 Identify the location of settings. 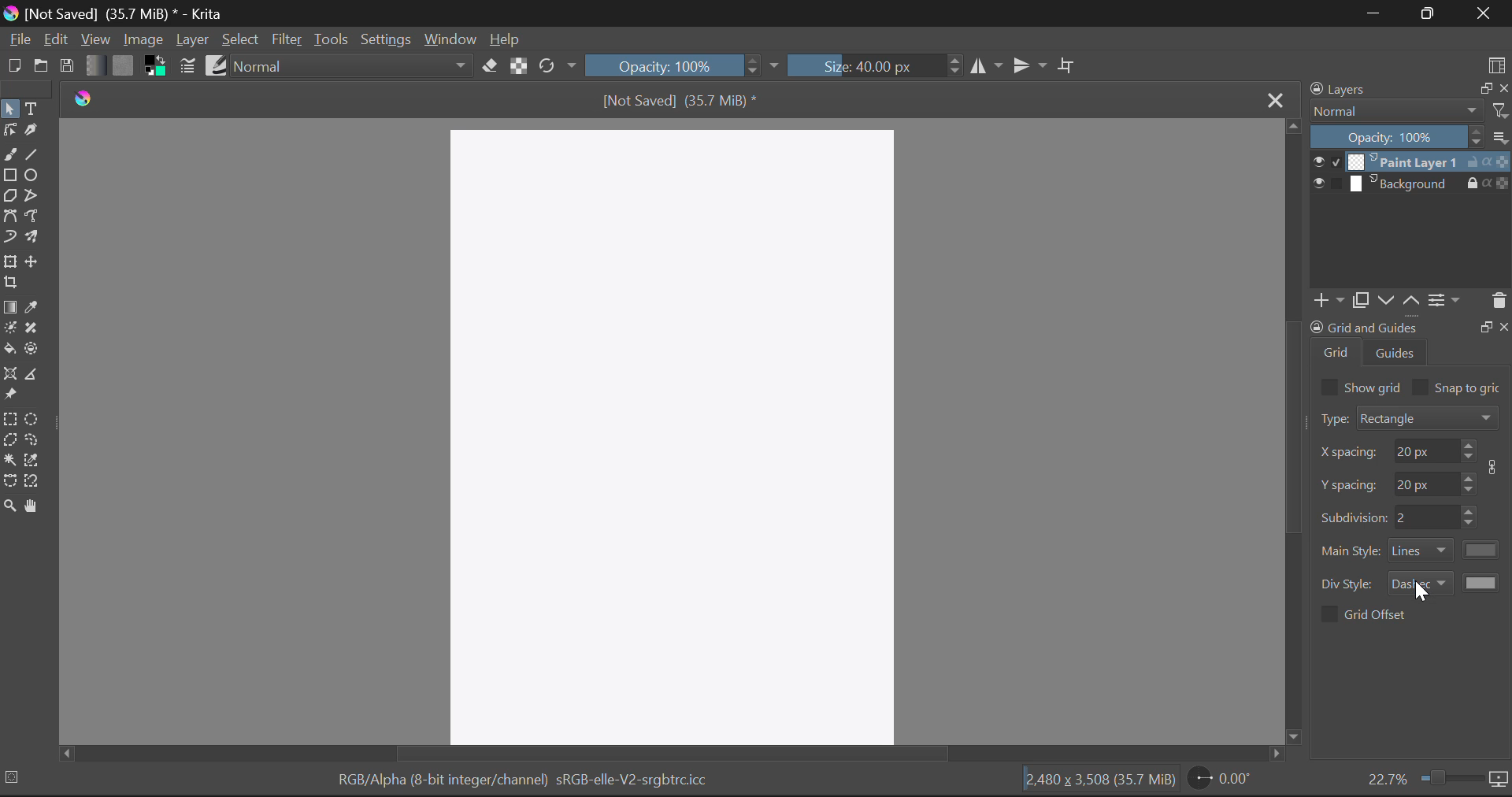
(1444, 299).